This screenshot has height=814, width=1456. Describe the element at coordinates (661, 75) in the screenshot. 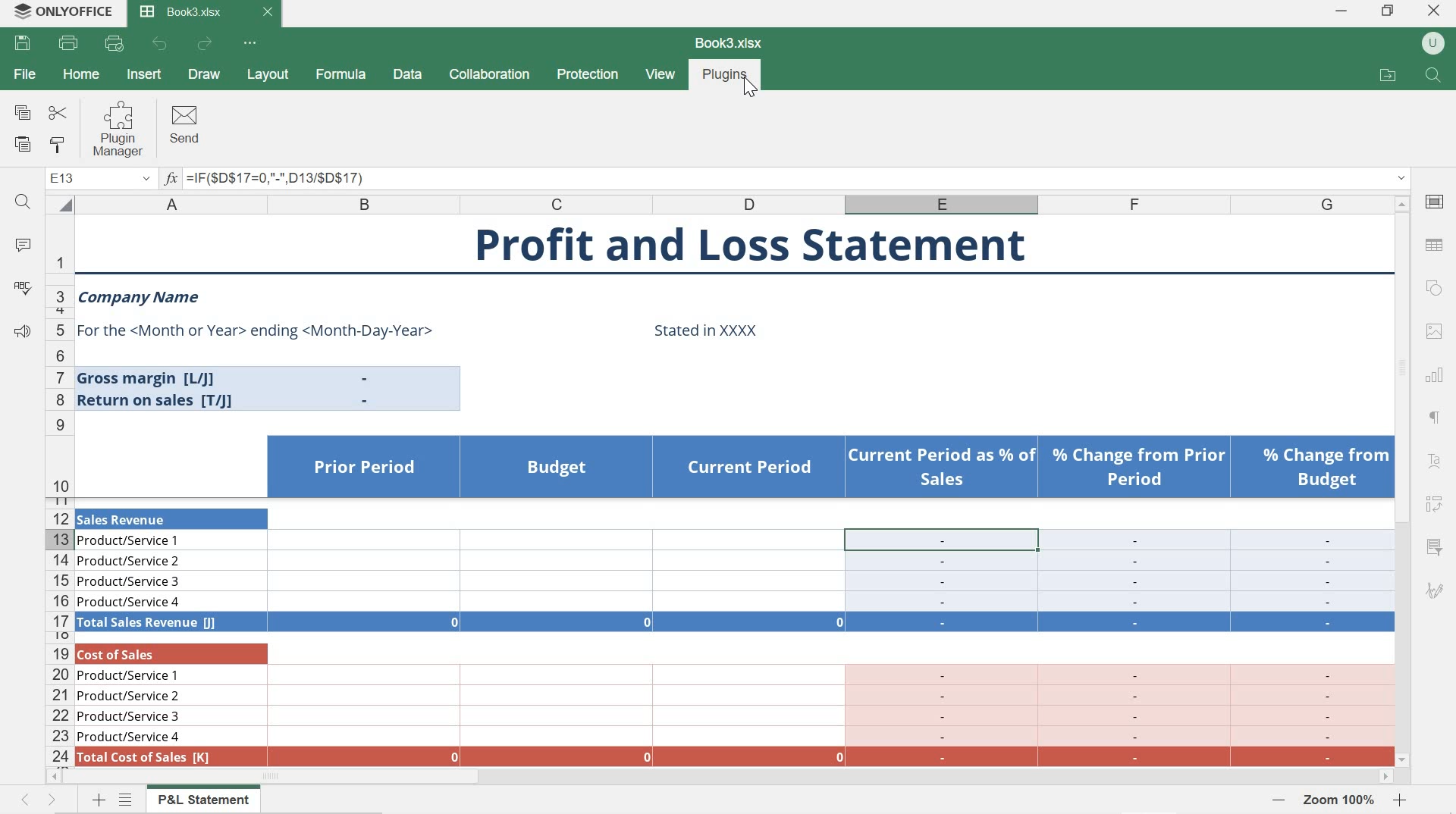

I see `view` at that location.